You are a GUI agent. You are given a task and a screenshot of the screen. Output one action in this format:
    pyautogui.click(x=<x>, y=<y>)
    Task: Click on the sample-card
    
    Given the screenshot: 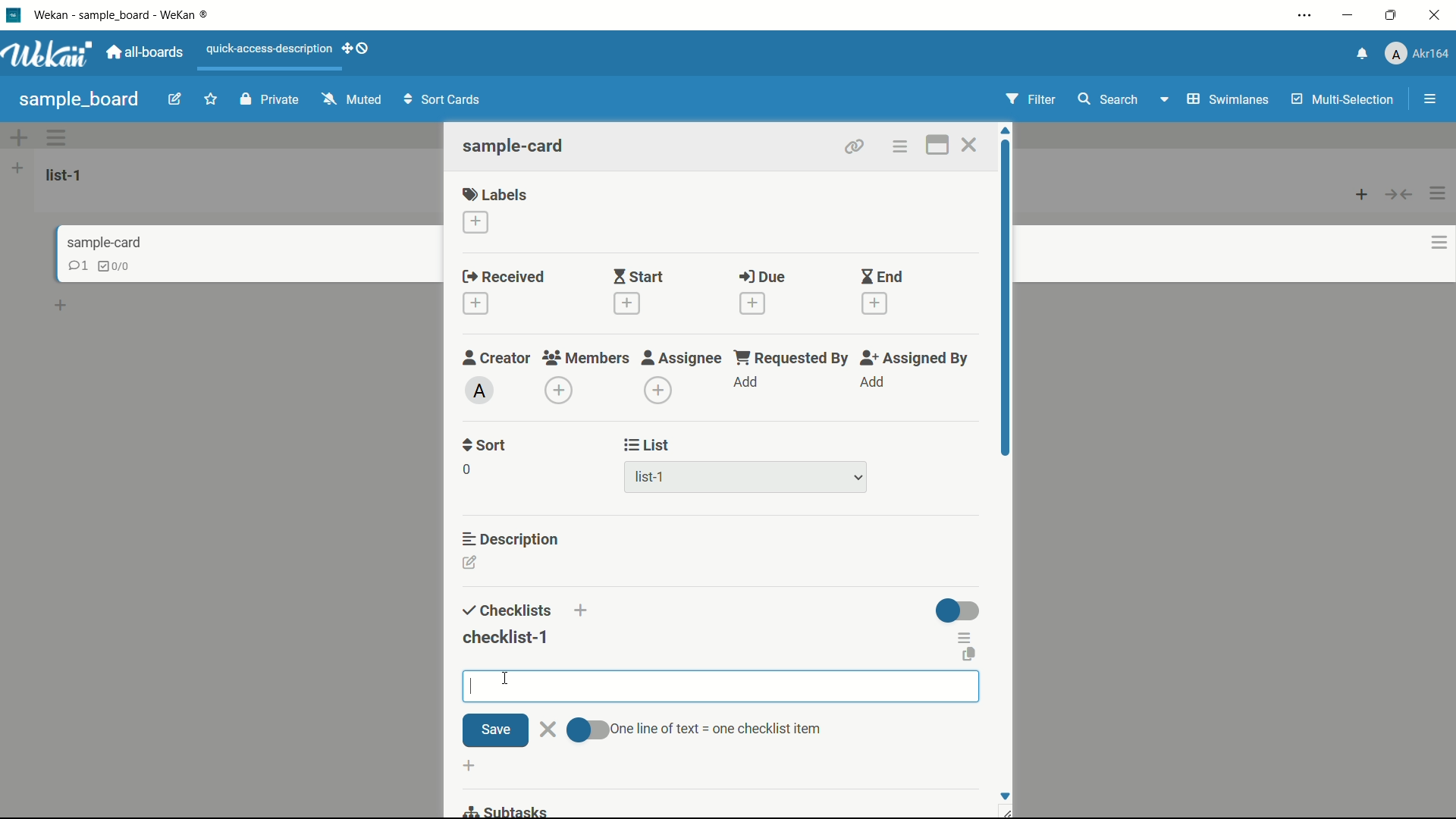 What is the action you would take?
    pyautogui.click(x=108, y=240)
    